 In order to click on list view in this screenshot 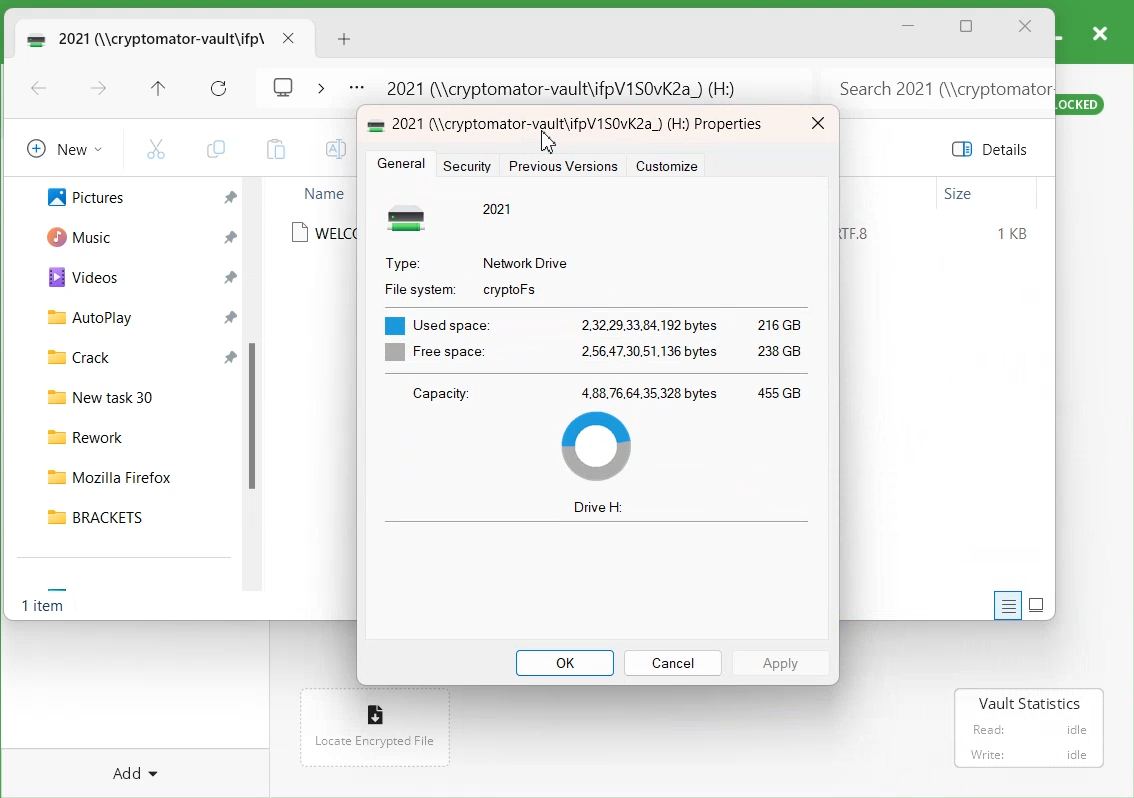, I will do `click(1004, 606)`.